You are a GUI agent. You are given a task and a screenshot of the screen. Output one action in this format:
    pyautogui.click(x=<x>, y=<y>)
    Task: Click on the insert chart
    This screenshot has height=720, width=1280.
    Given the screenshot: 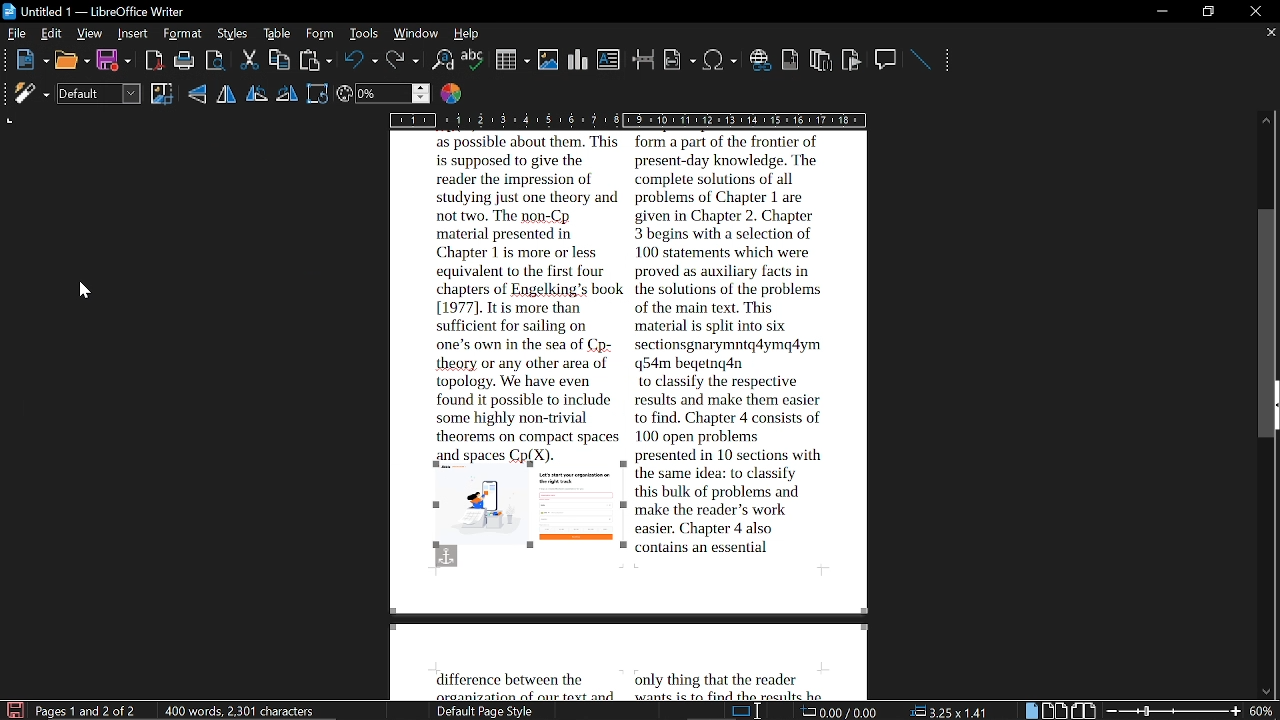 What is the action you would take?
    pyautogui.click(x=574, y=60)
    